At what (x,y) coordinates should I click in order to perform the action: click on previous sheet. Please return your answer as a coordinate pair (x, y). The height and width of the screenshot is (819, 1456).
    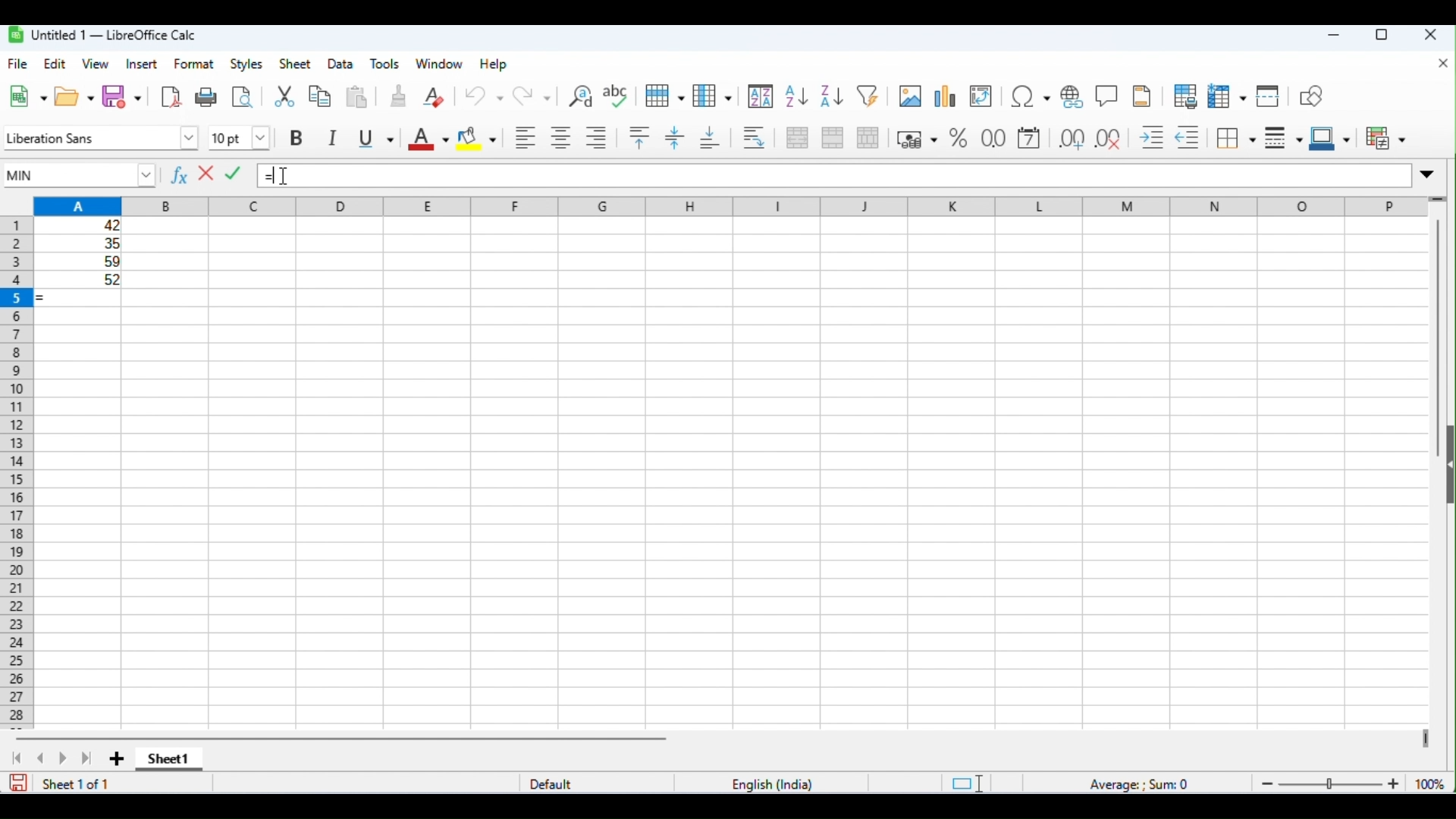
    Looking at the image, I should click on (42, 758).